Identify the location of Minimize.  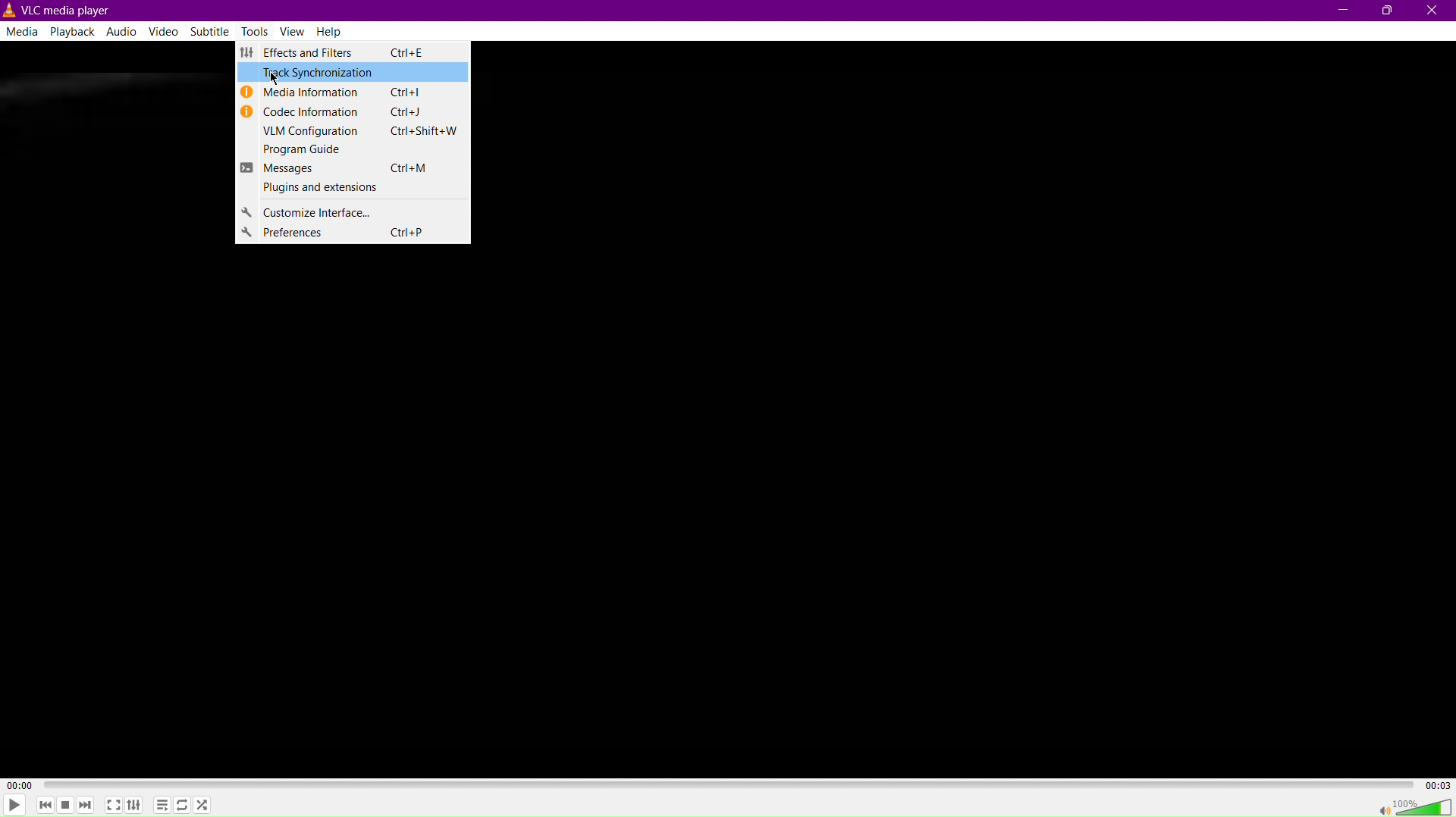
(1339, 11).